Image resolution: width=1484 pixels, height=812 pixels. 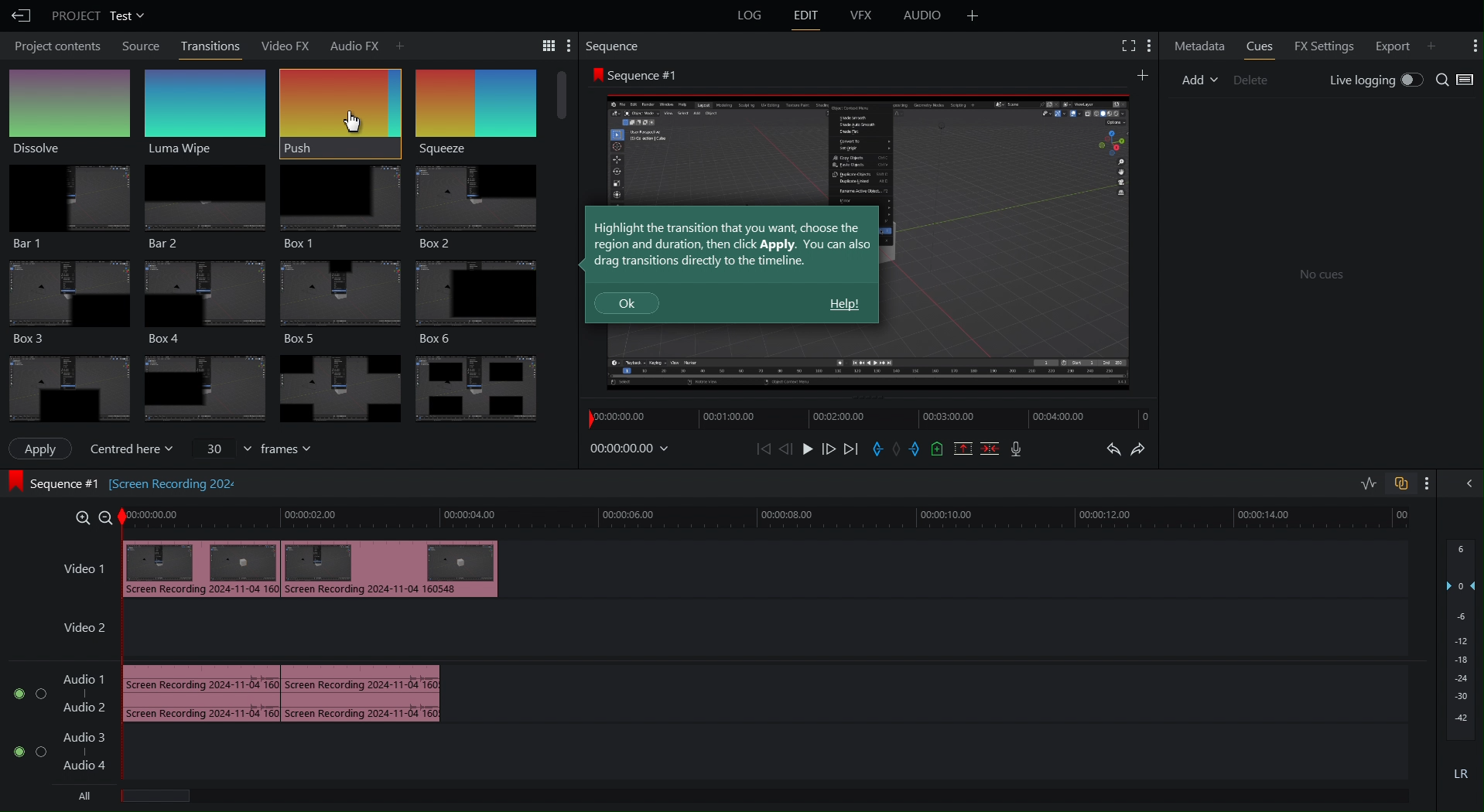 I want to click on Skip Forward, so click(x=850, y=450).